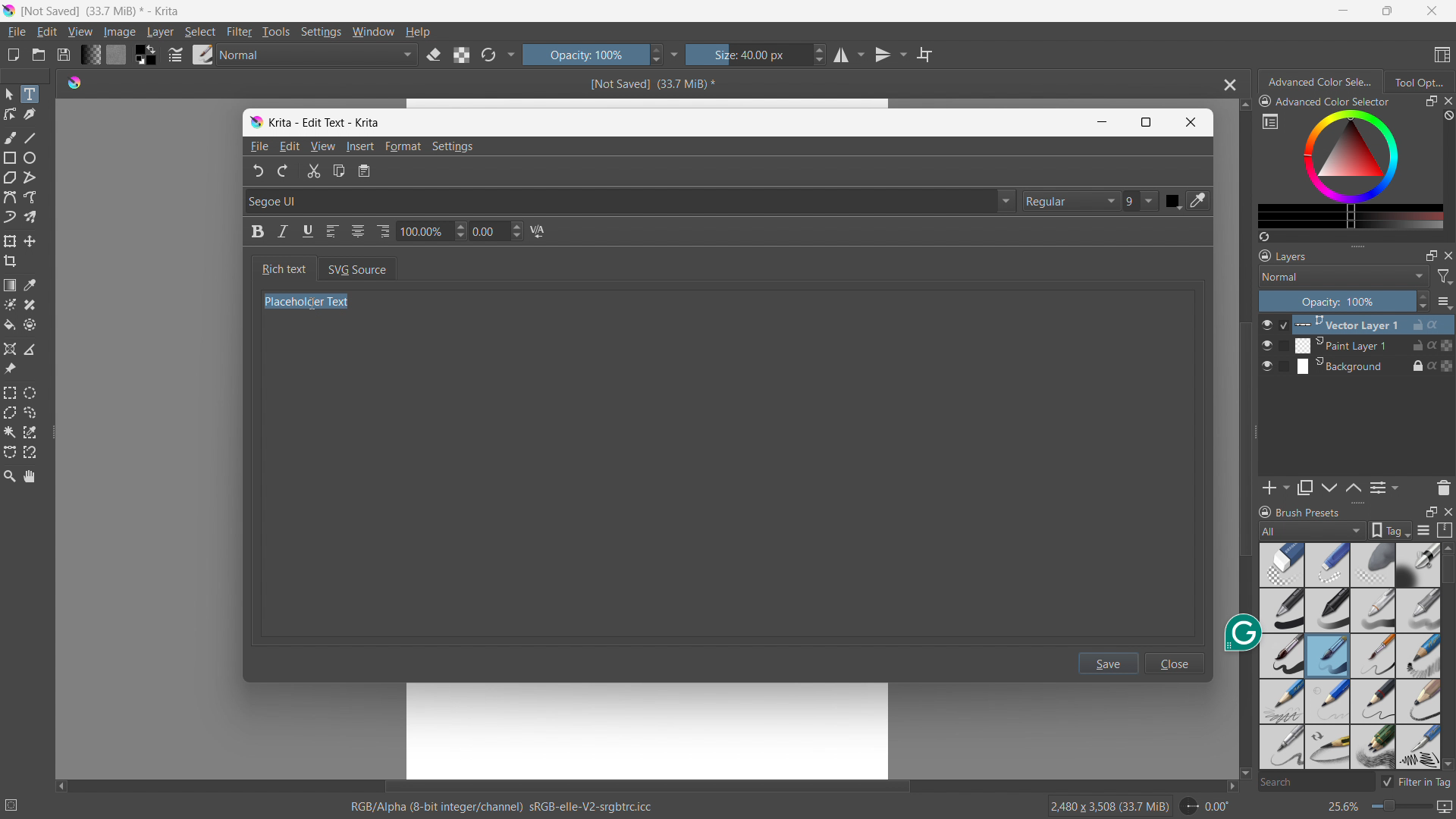 The height and width of the screenshot is (819, 1456). Describe the element at coordinates (1227, 786) in the screenshot. I see `scroll right` at that location.